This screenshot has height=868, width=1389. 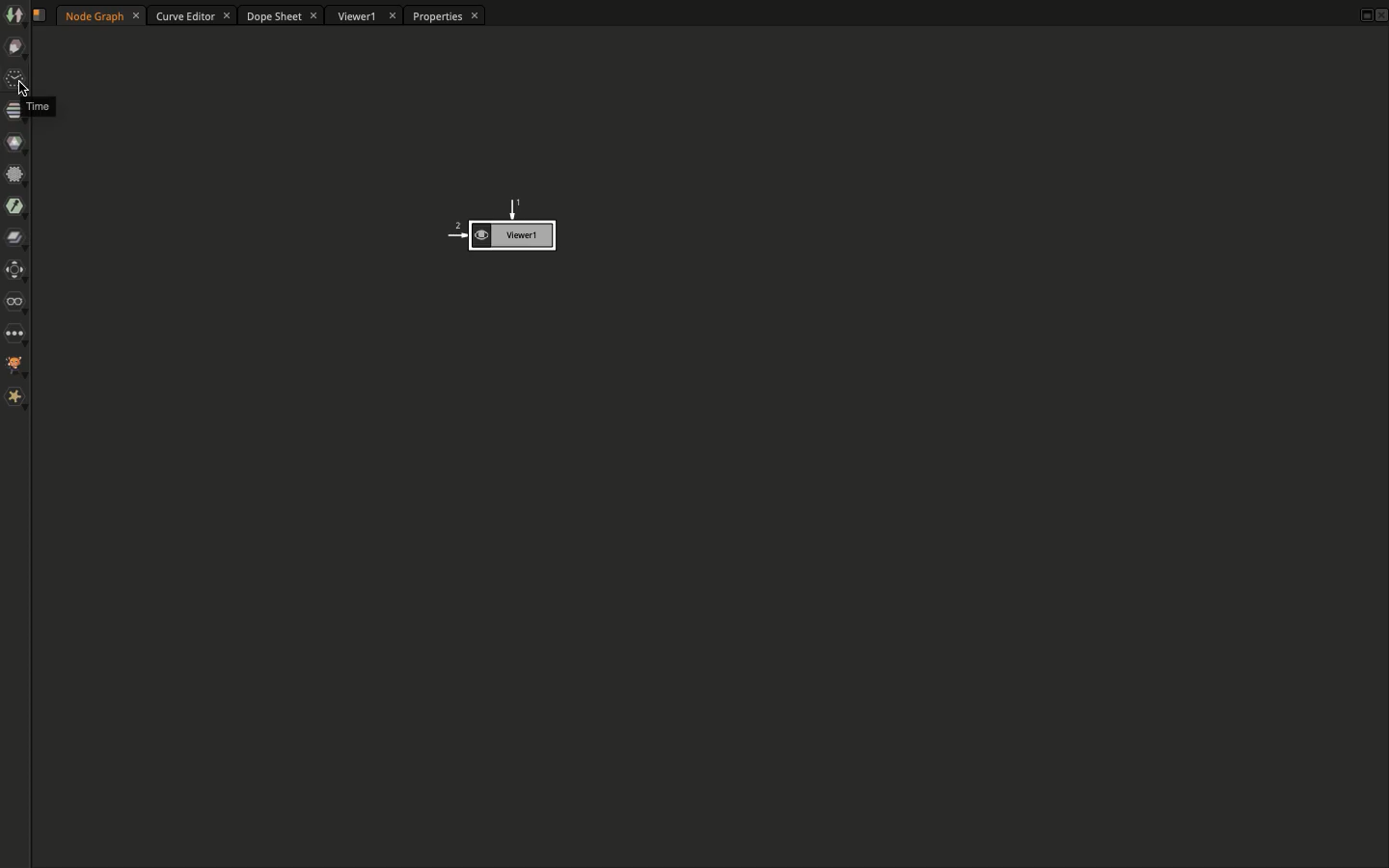 I want to click on Merger, so click(x=15, y=241).